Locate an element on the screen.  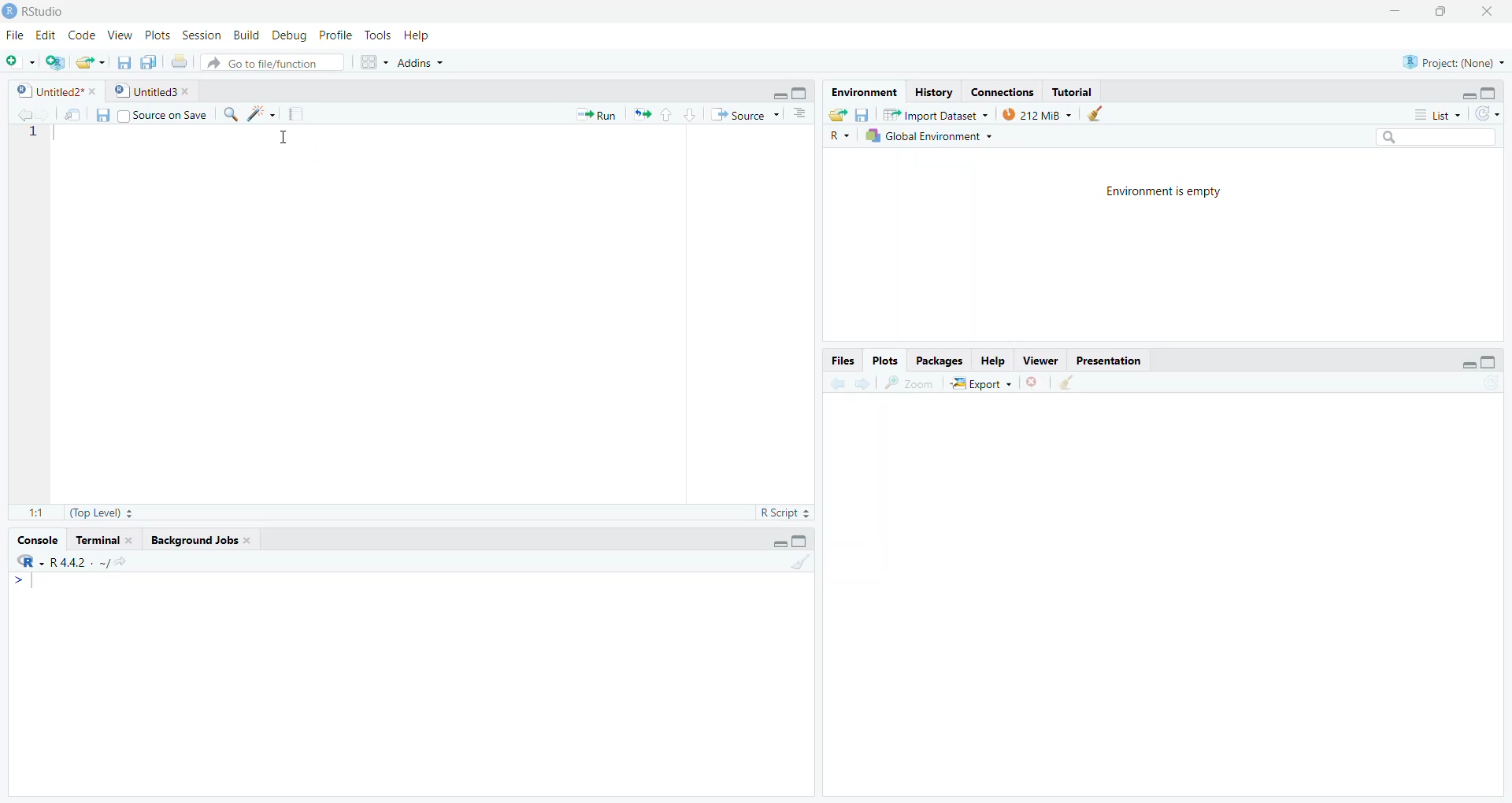
 is located at coordinates (369, 61).